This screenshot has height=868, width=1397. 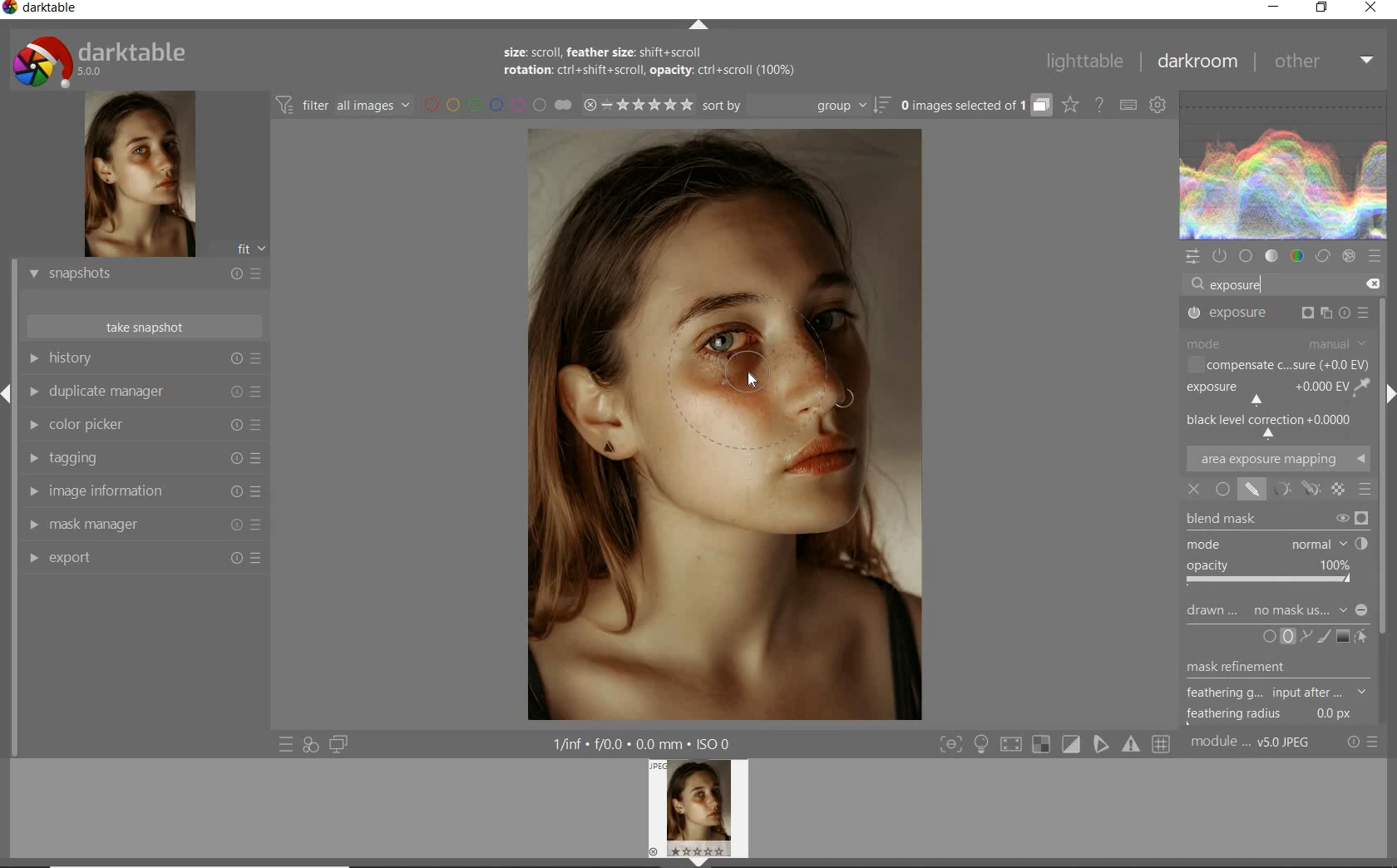 I want to click on SET THE EXPOSURE ADJUSTMENT USING THE SELECTED AREA, so click(x=1360, y=387).